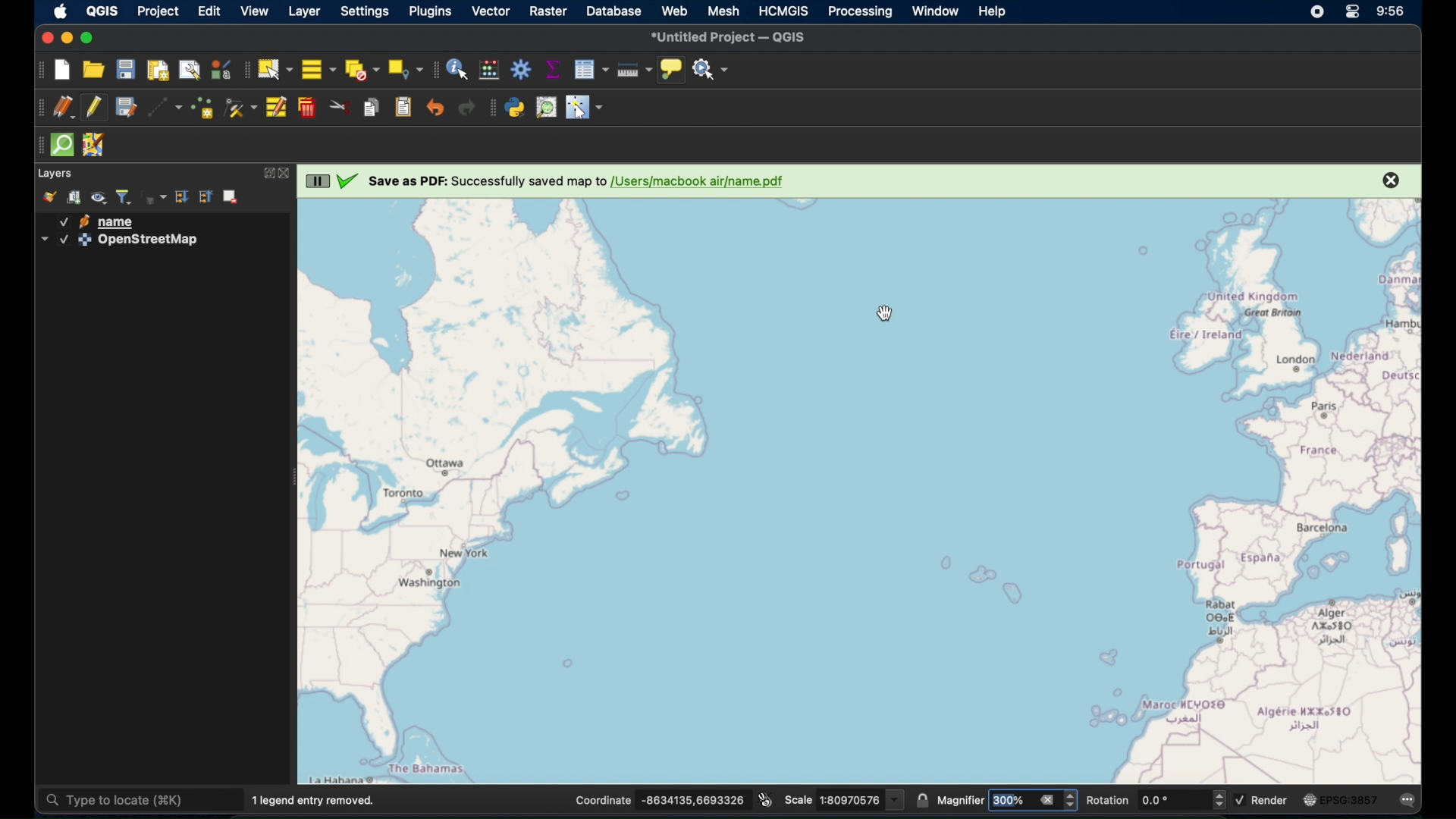 The image size is (1456, 819). What do you see at coordinates (56, 174) in the screenshot?
I see `layer` at bounding box center [56, 174].